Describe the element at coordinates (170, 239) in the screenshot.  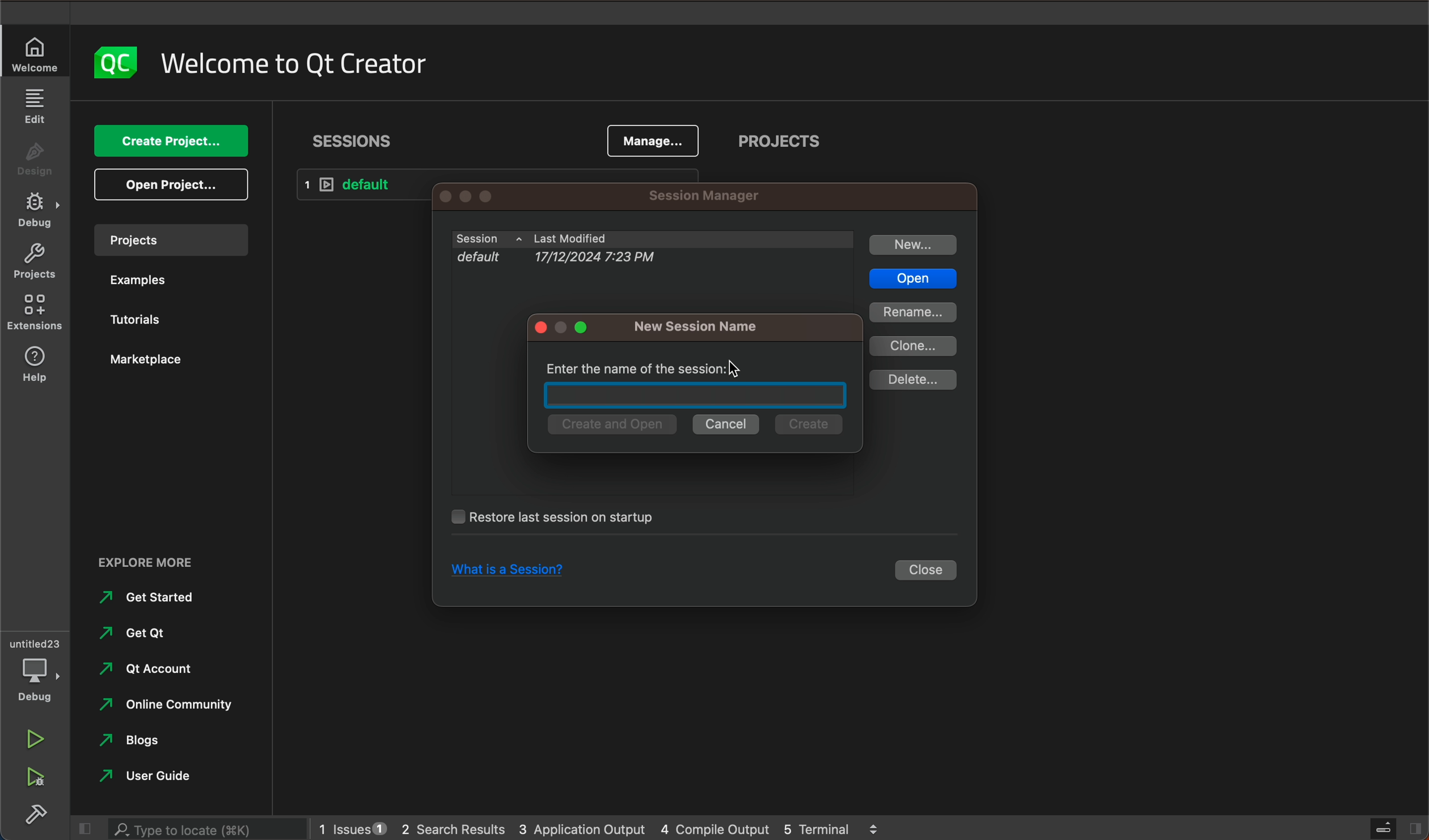
I see `project` at that location.